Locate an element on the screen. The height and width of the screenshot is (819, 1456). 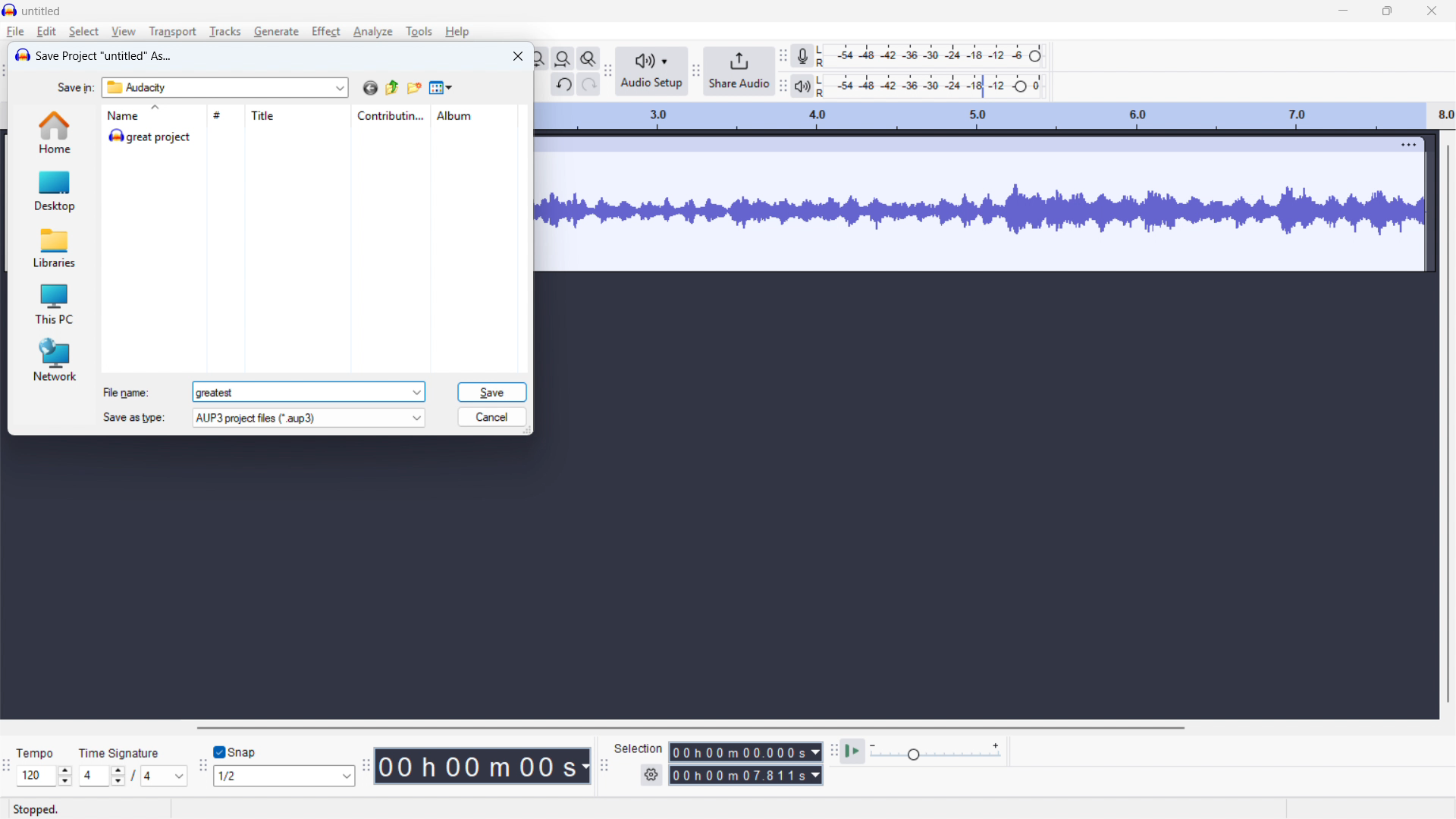
Maximise  is located at coordinates (1386, 11).